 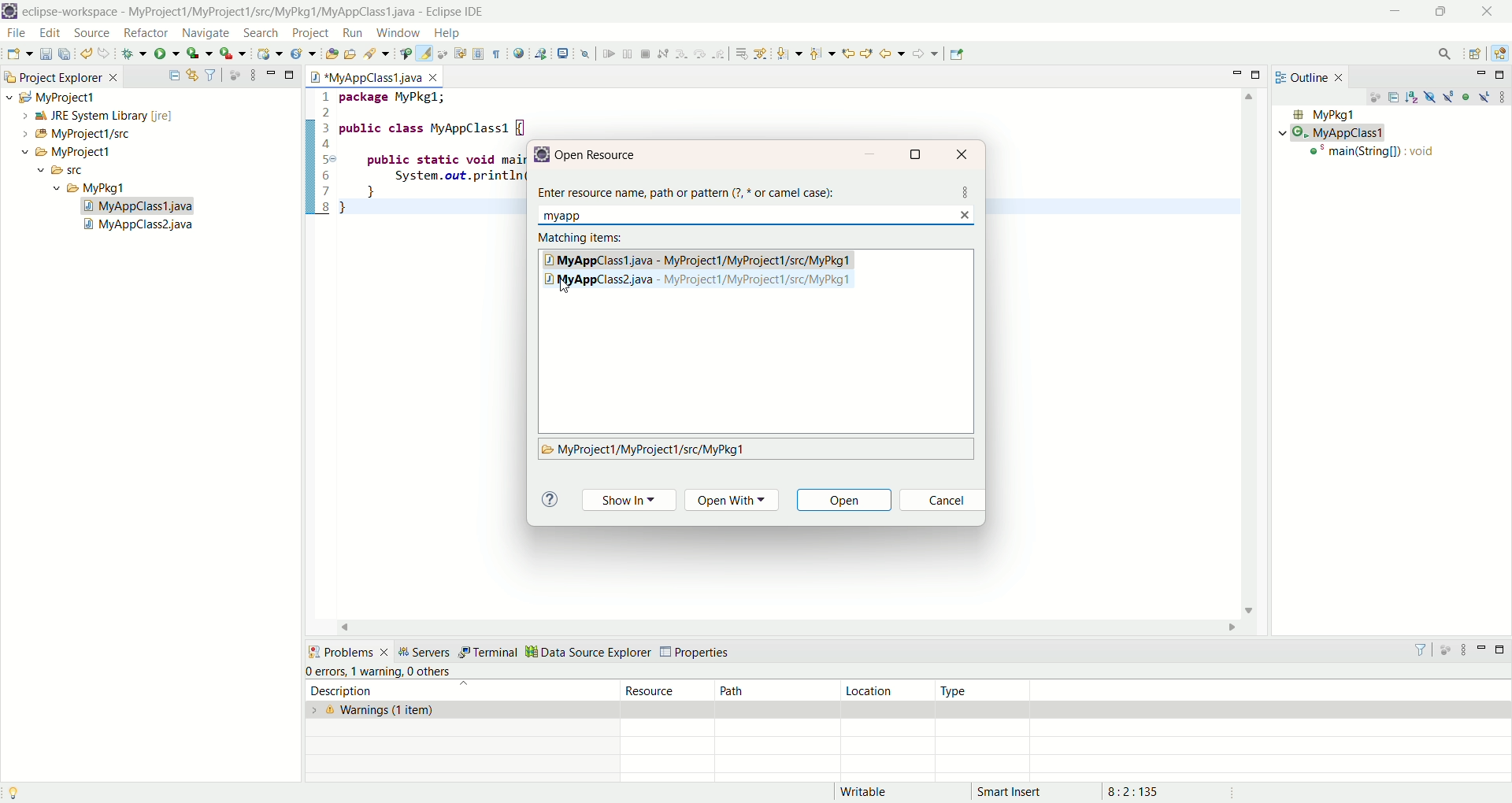 What do you see at coordinates (479, 55) in the screenshot?
I see `toggle block selection mode` at bounding box center [479, 55].